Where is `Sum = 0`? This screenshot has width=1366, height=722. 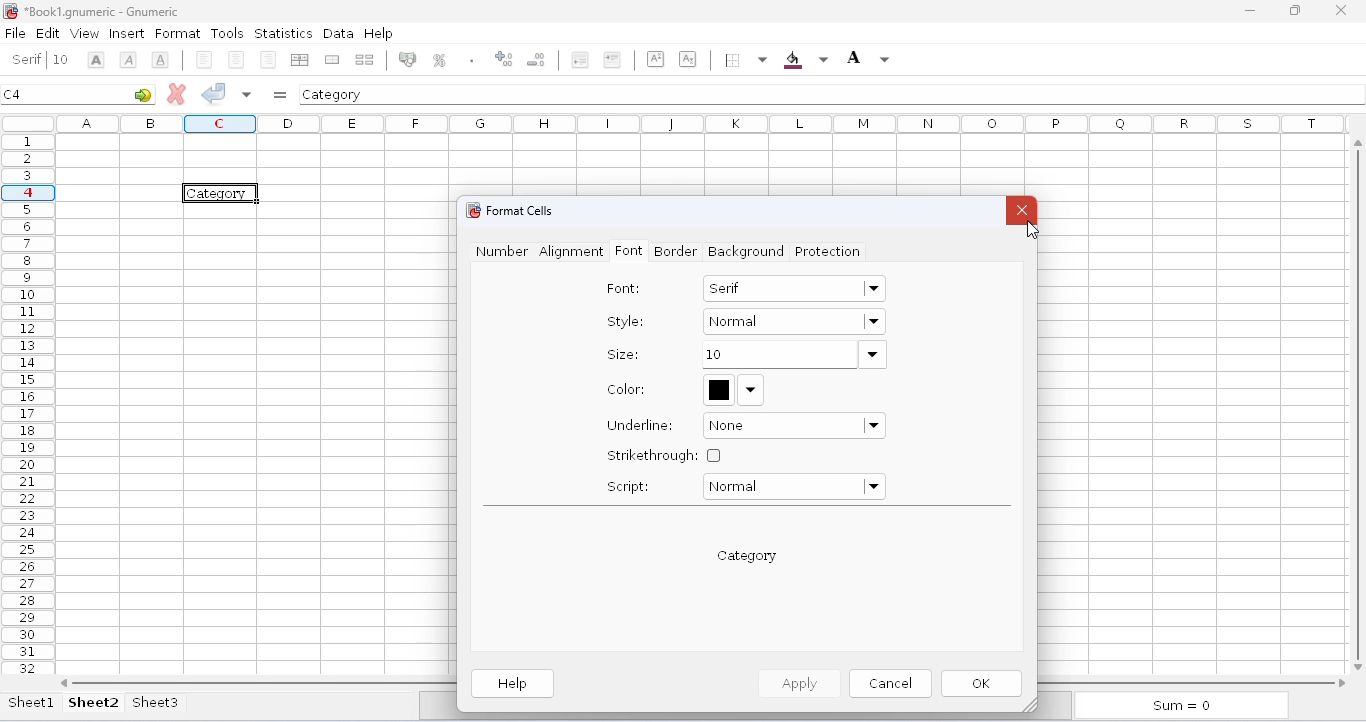
Sum = 0 is located at coordinates (1177, 707).